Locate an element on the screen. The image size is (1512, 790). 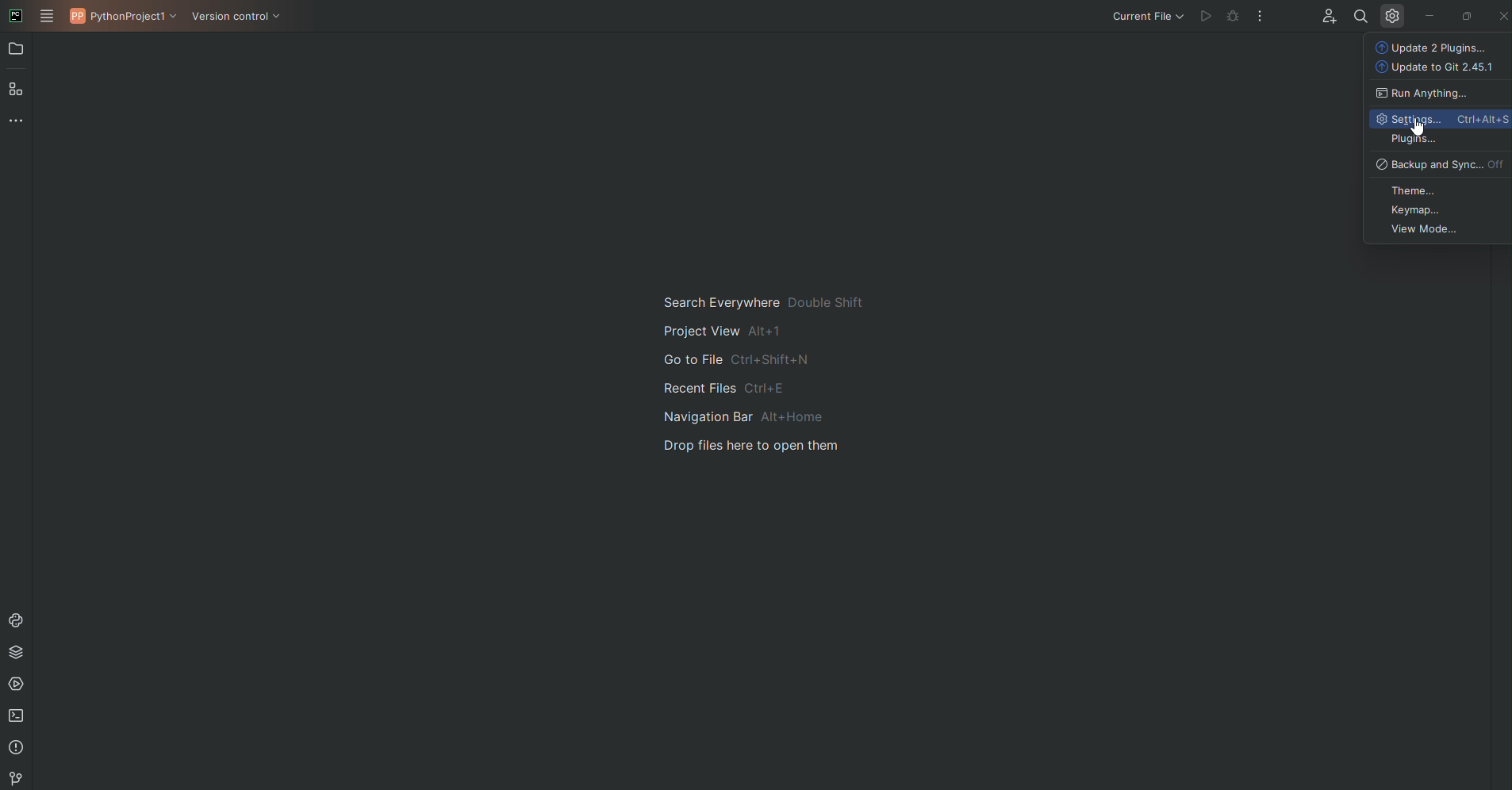
Cursor on Settings is located at coordinates (1417, 126).